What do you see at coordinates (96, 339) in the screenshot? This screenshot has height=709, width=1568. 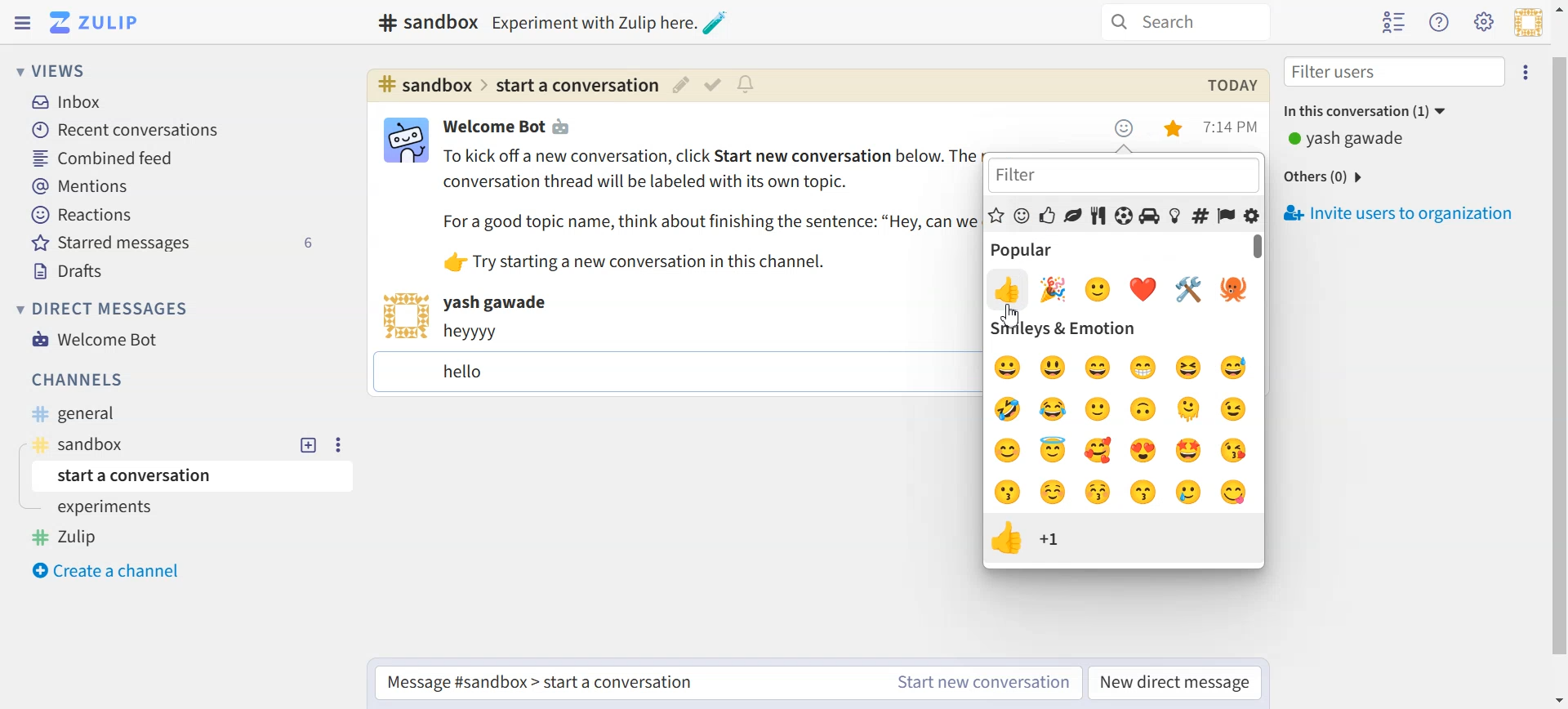 I see `Welcome Bot` at bounding box center [96, 339].